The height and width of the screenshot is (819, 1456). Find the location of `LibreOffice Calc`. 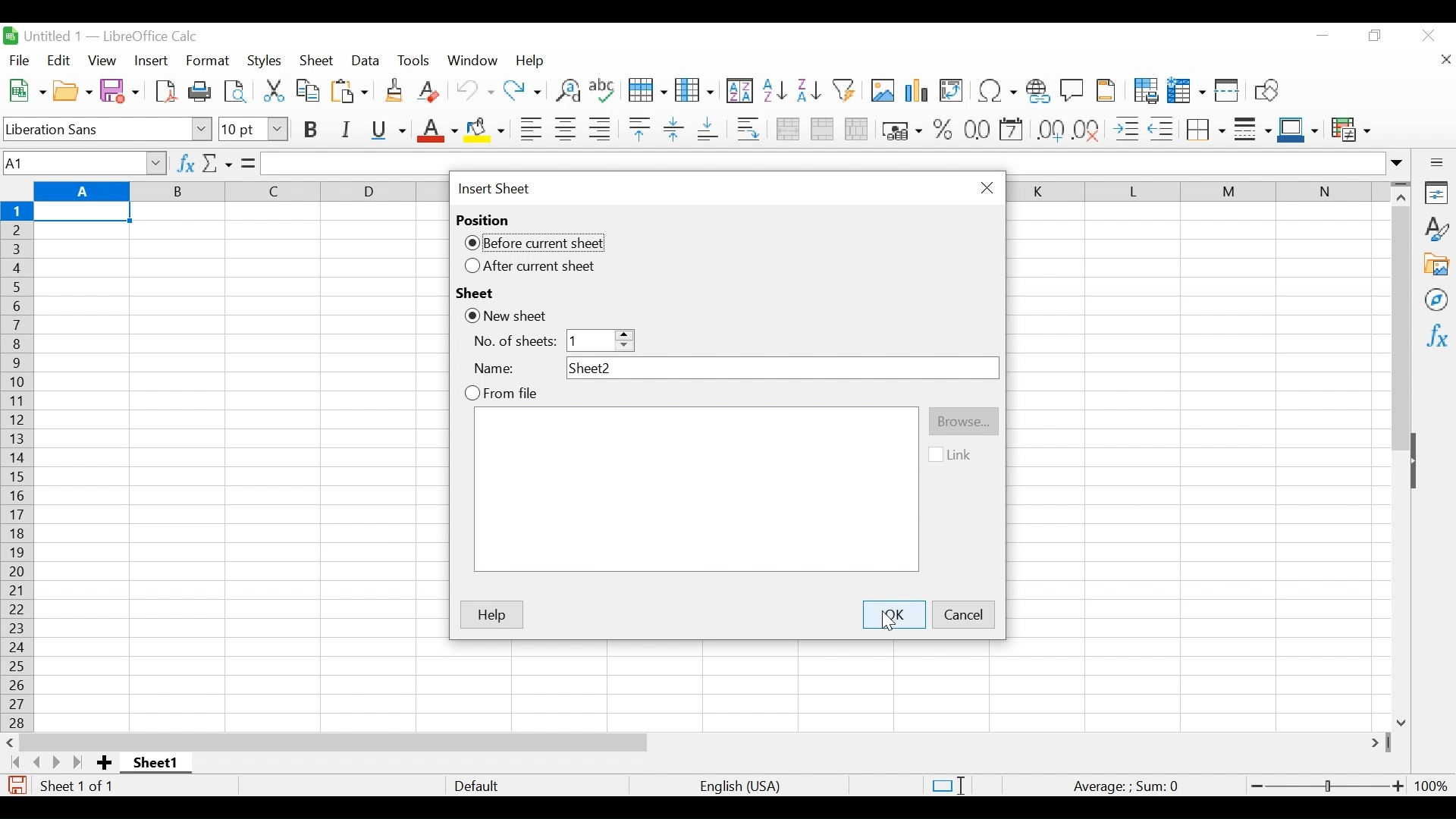

LibreOffice Calc is located at coordinates (149, 37).